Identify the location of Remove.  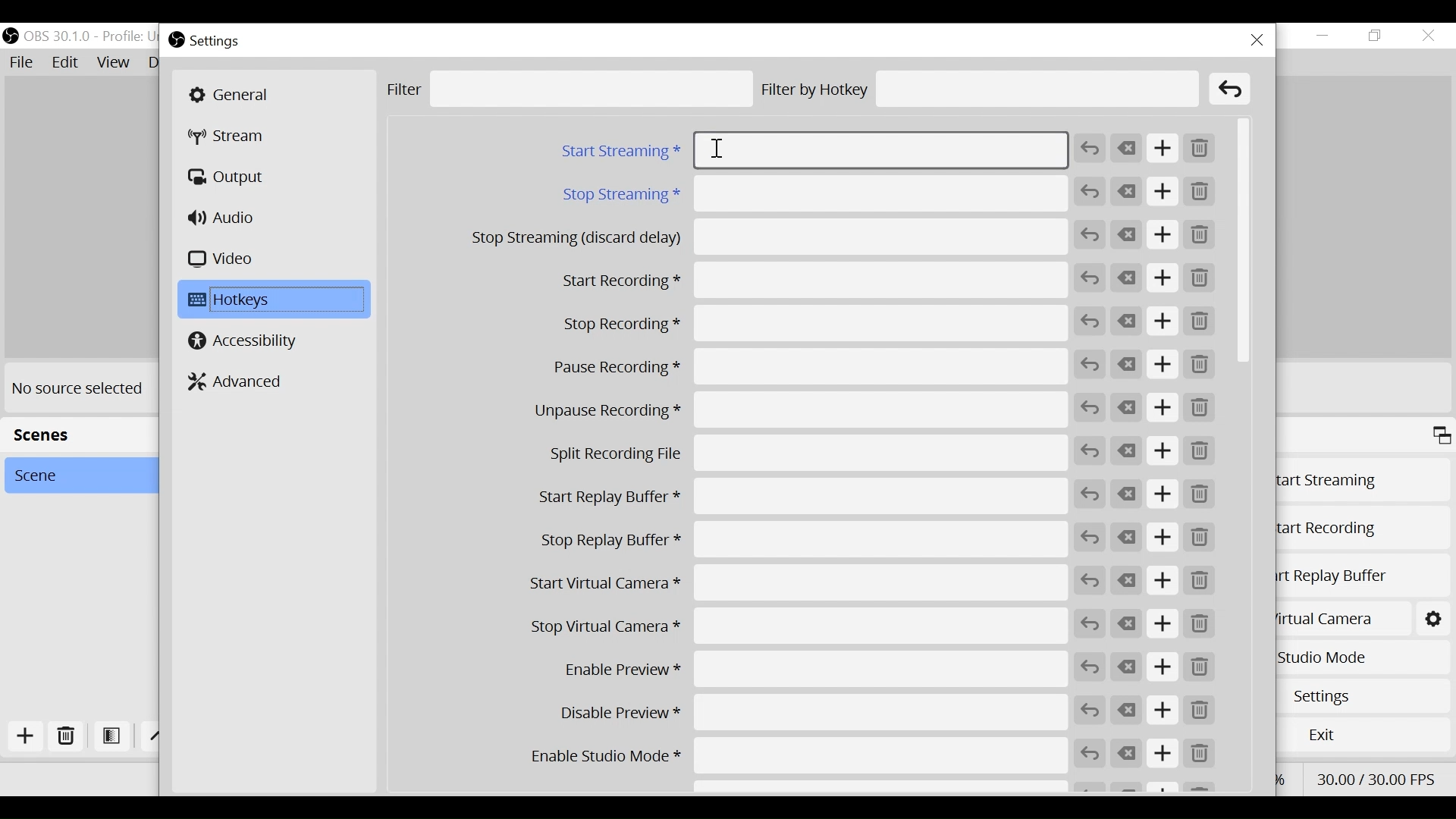
(1200, 495).